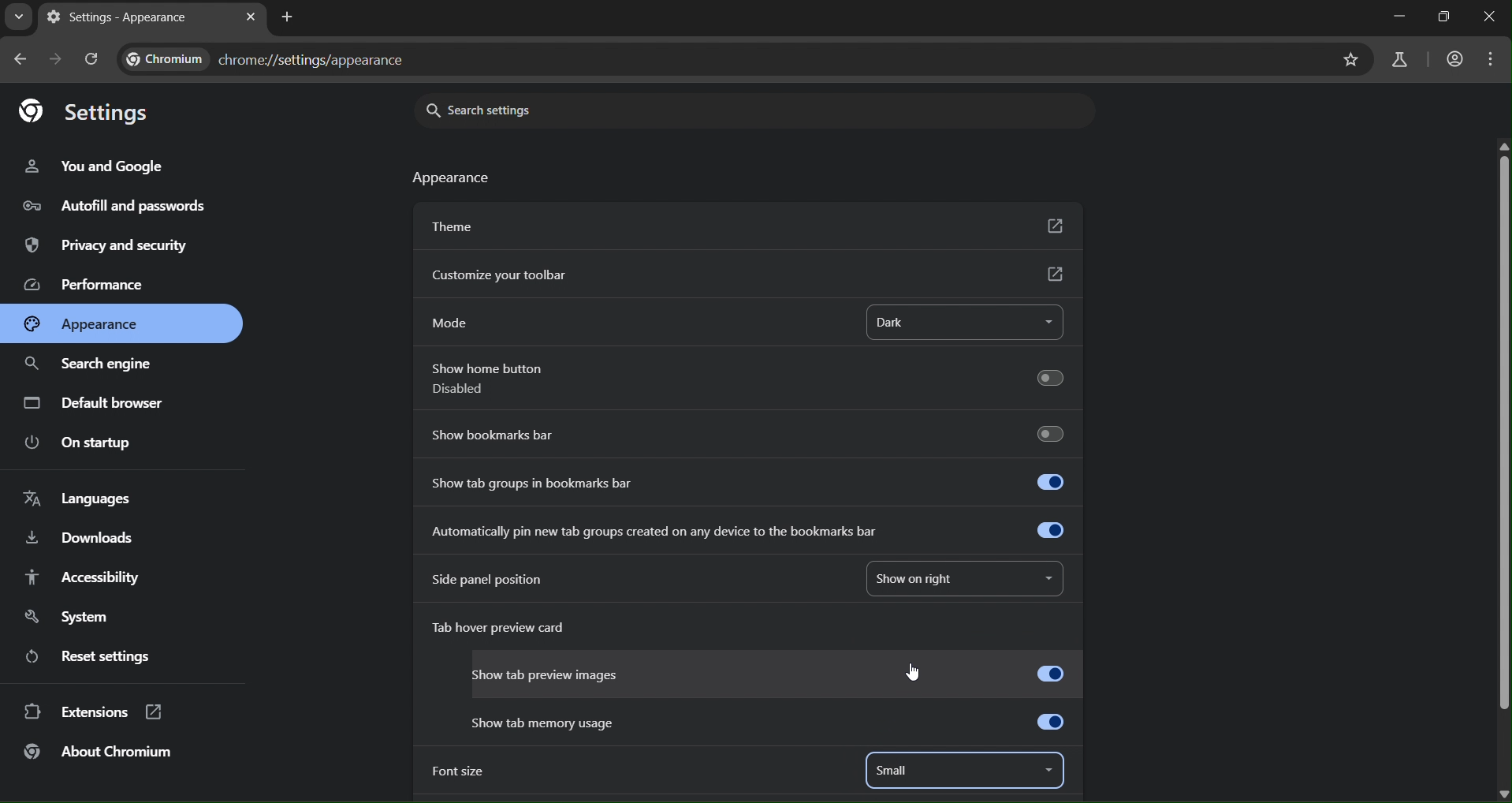 The image size is (1512, 803). What do you see at coordinates (249, 16) in the screenshot?
I see `close tab` at bounding box center [249, 16].